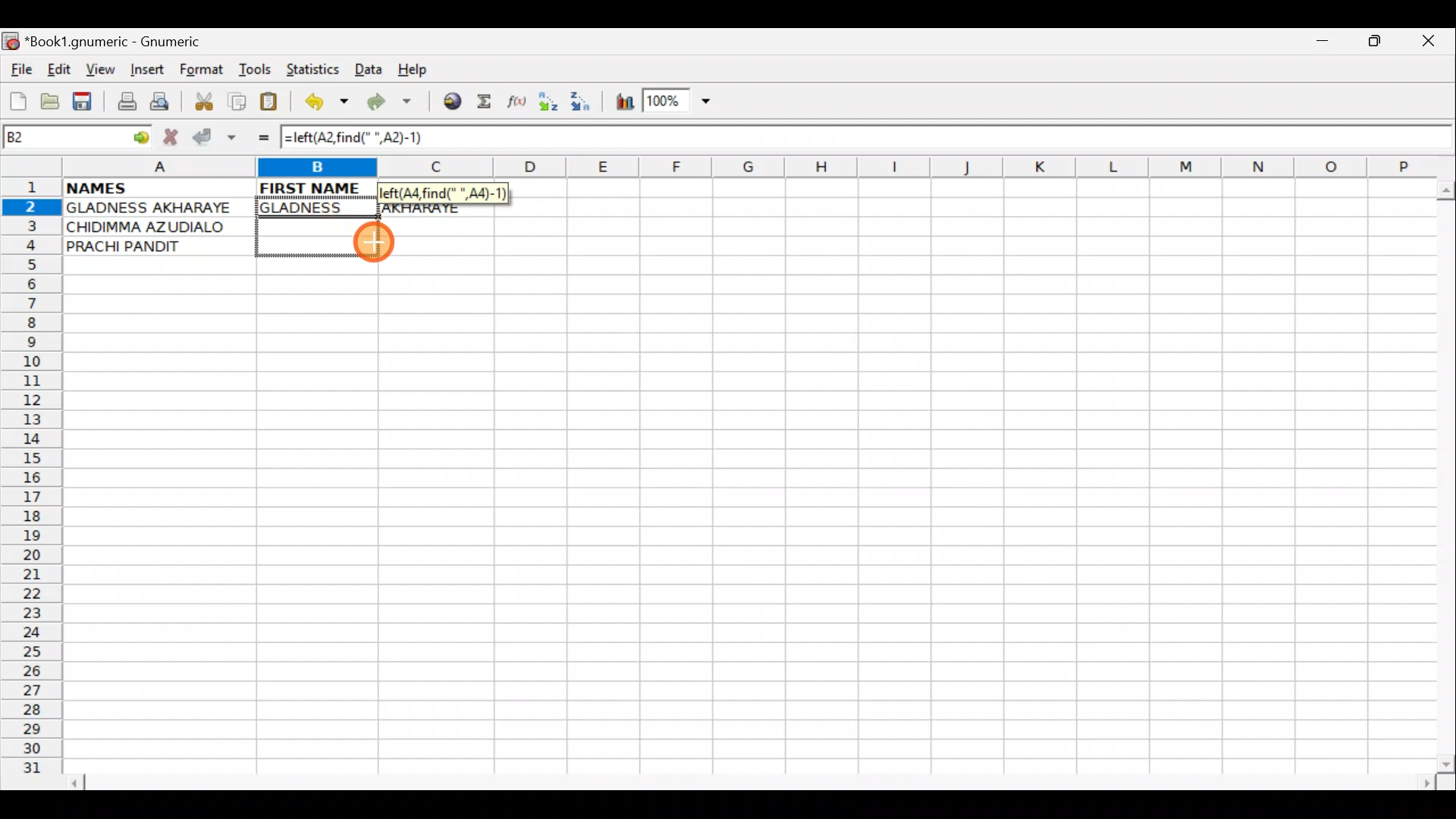 The width and height of the screenshot is (1456, 819). I want to click on File, so click(20, 71).